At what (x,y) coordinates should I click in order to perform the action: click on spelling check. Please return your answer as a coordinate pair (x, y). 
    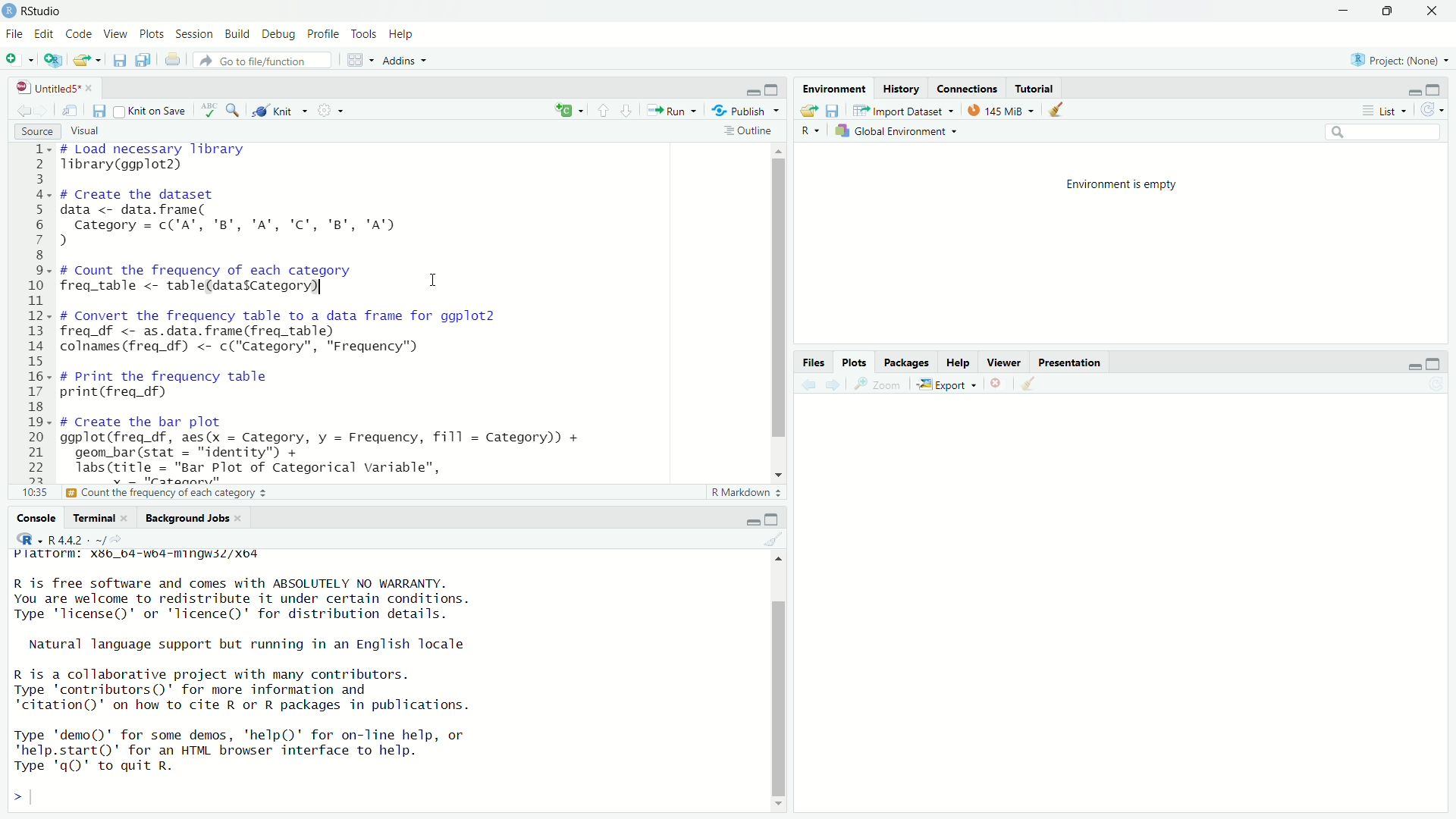
    Looking at the image, I should click on (210, 111).